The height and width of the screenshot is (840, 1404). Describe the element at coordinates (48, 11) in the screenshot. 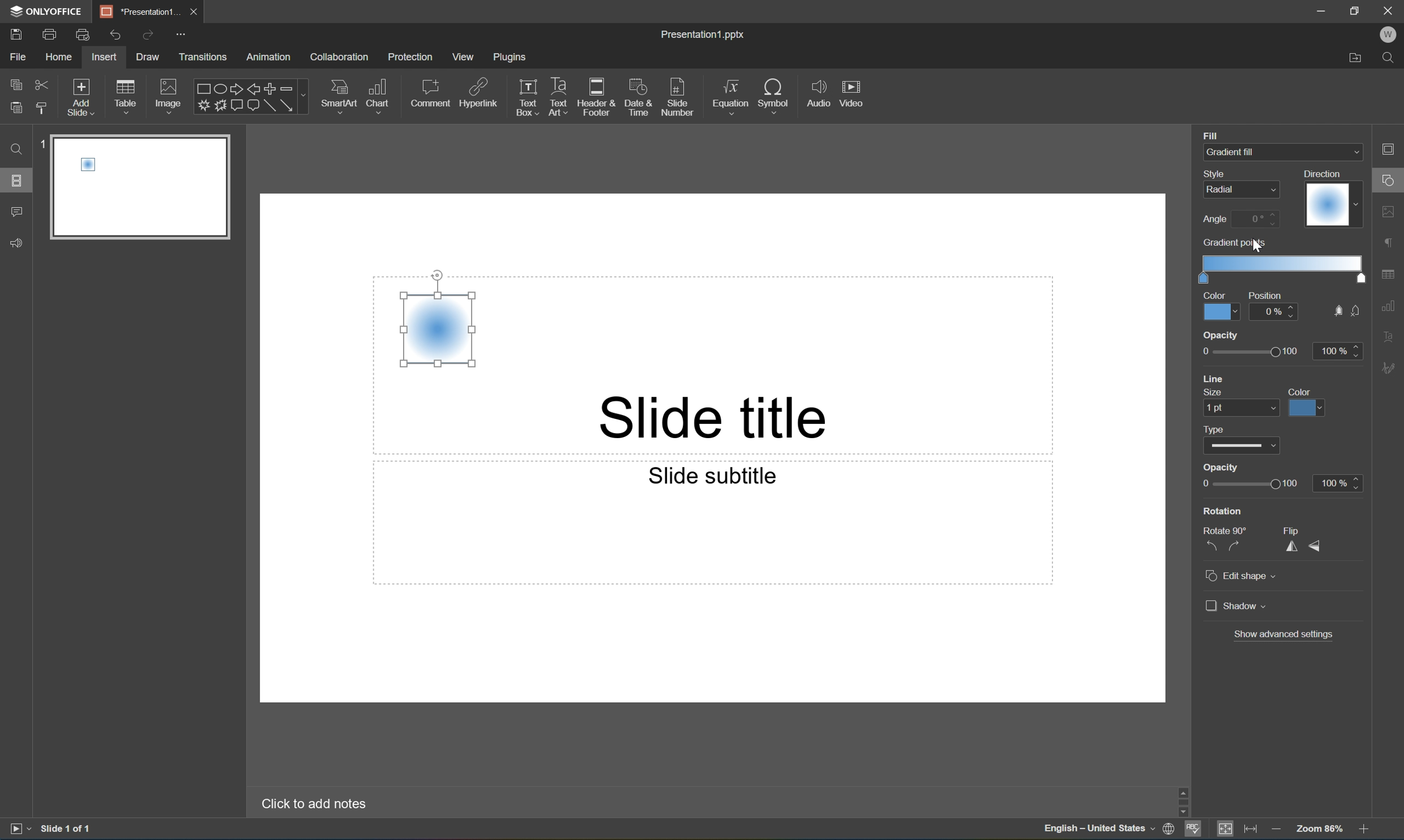

I see `ONLYOFFICE` at that location.